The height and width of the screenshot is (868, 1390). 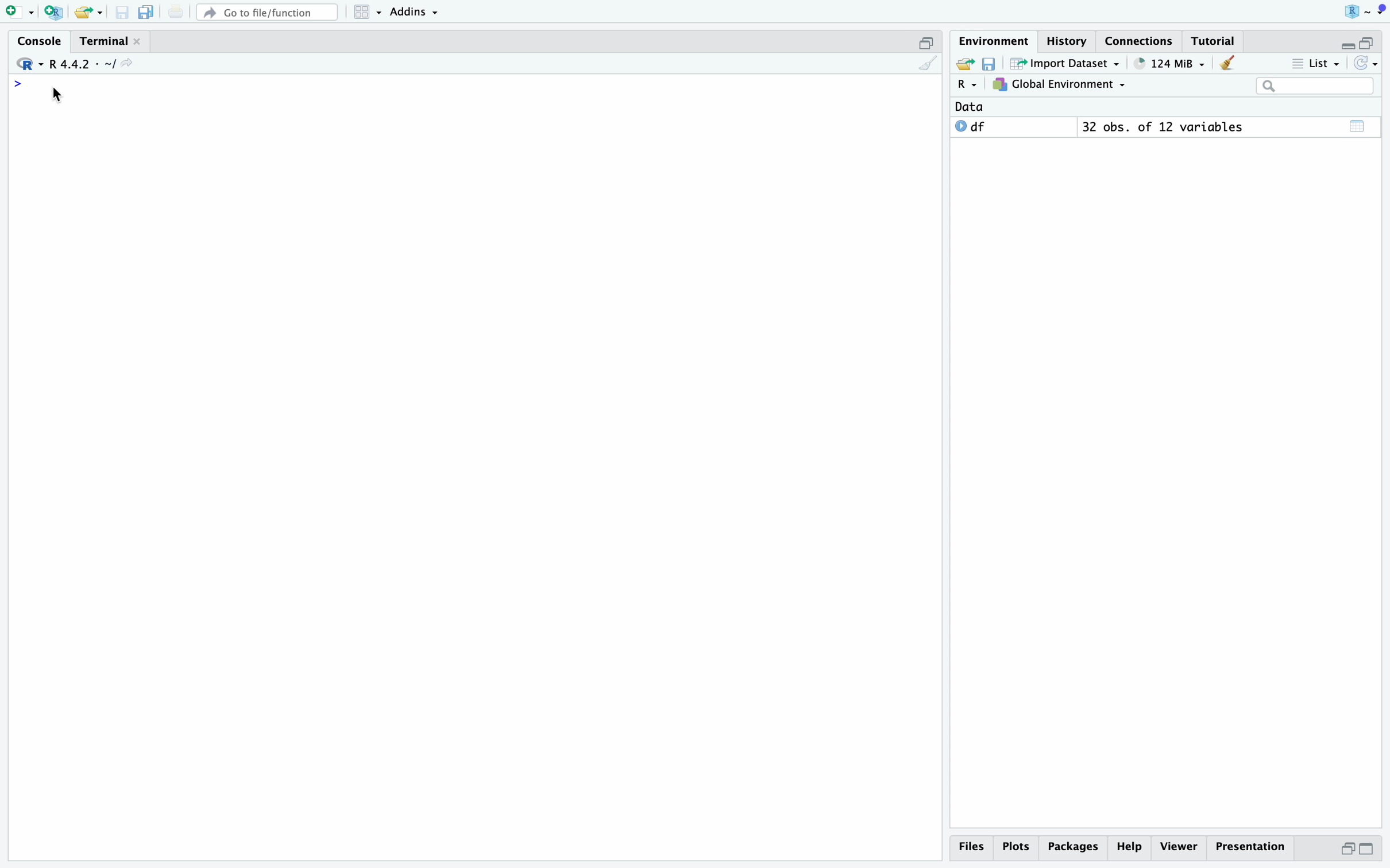 I want to click on Addins, so click(x=414, y=13).